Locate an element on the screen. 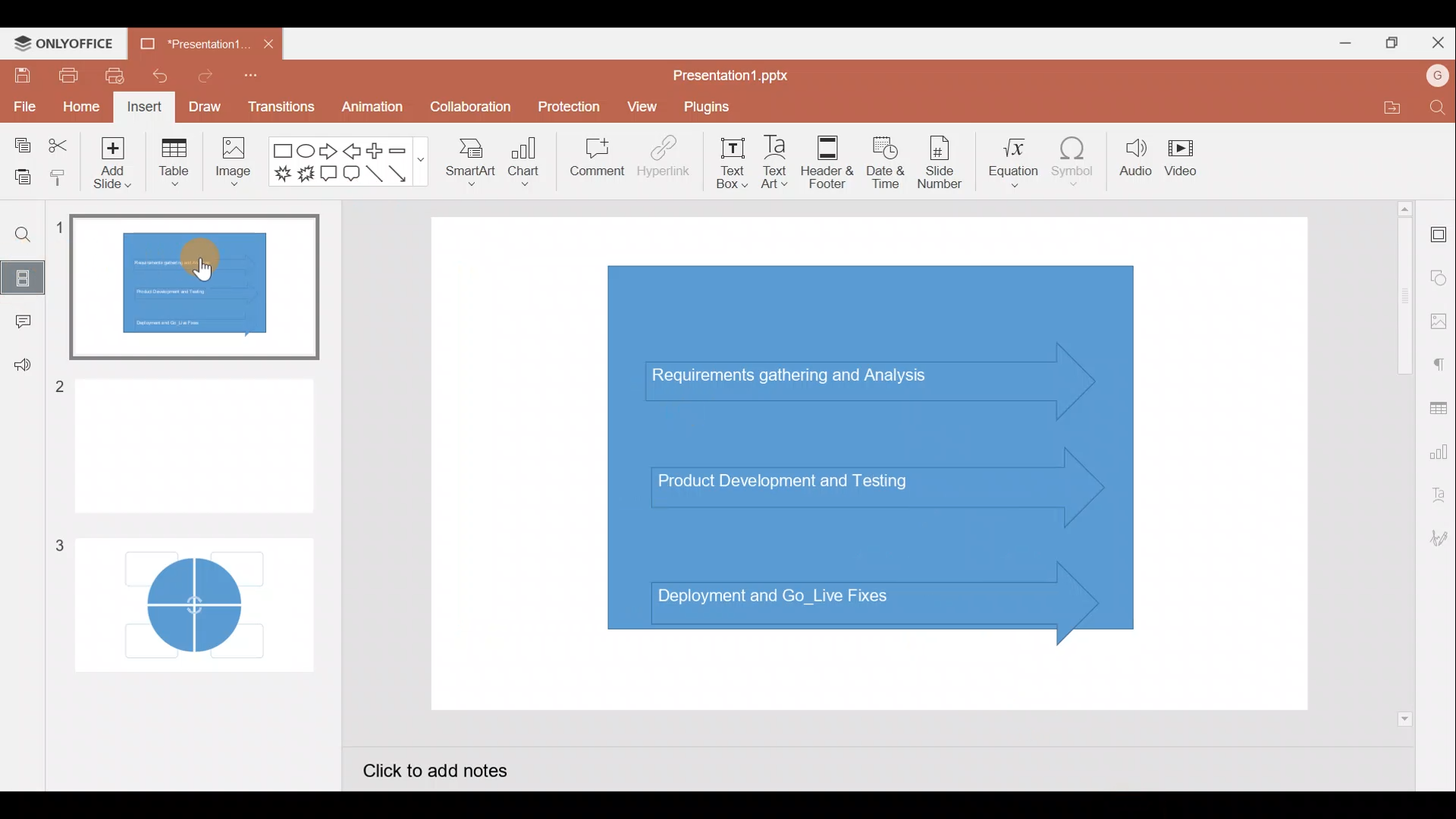 This screenshot has width=1456, height=819. Transitions is located at coordinates (279, 106).